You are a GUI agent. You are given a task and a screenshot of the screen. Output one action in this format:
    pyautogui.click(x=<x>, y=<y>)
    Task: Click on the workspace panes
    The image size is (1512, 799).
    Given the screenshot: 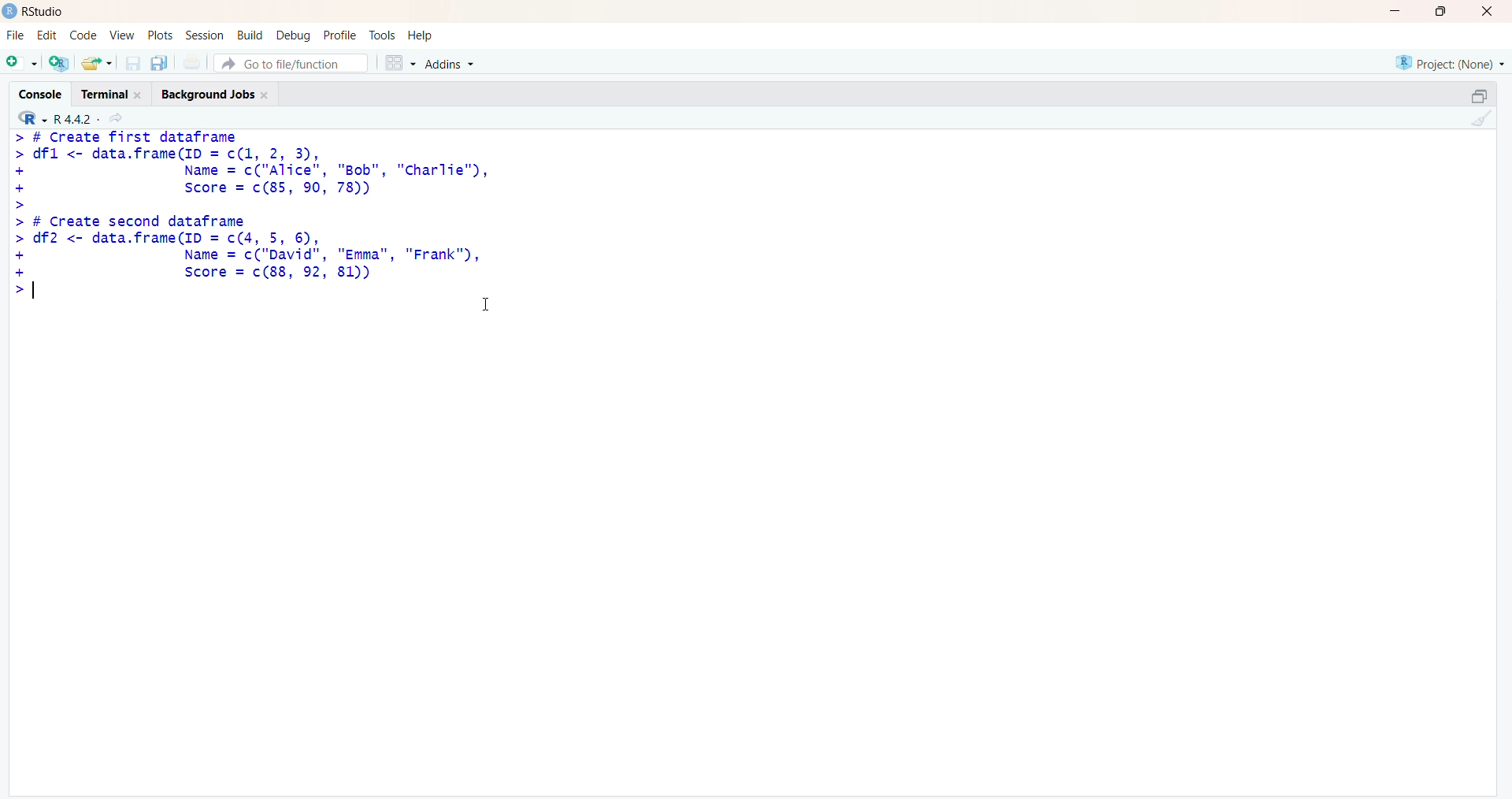 What is the action you would take?
    pyautogui.click(x=399, y=62)
    